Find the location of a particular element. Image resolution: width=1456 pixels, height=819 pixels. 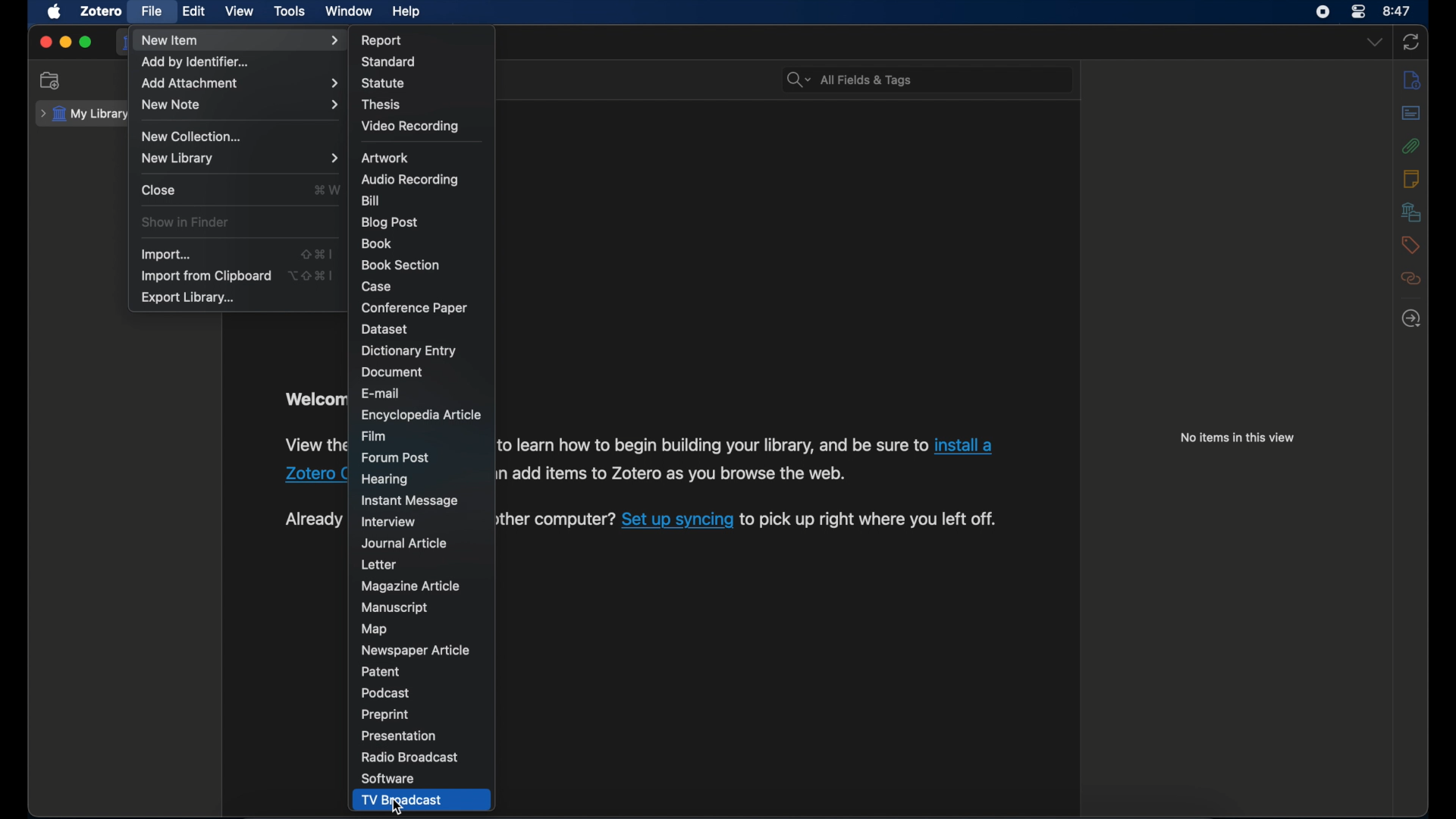

Welcome to Zotero! is located at coordinates (311, 399).